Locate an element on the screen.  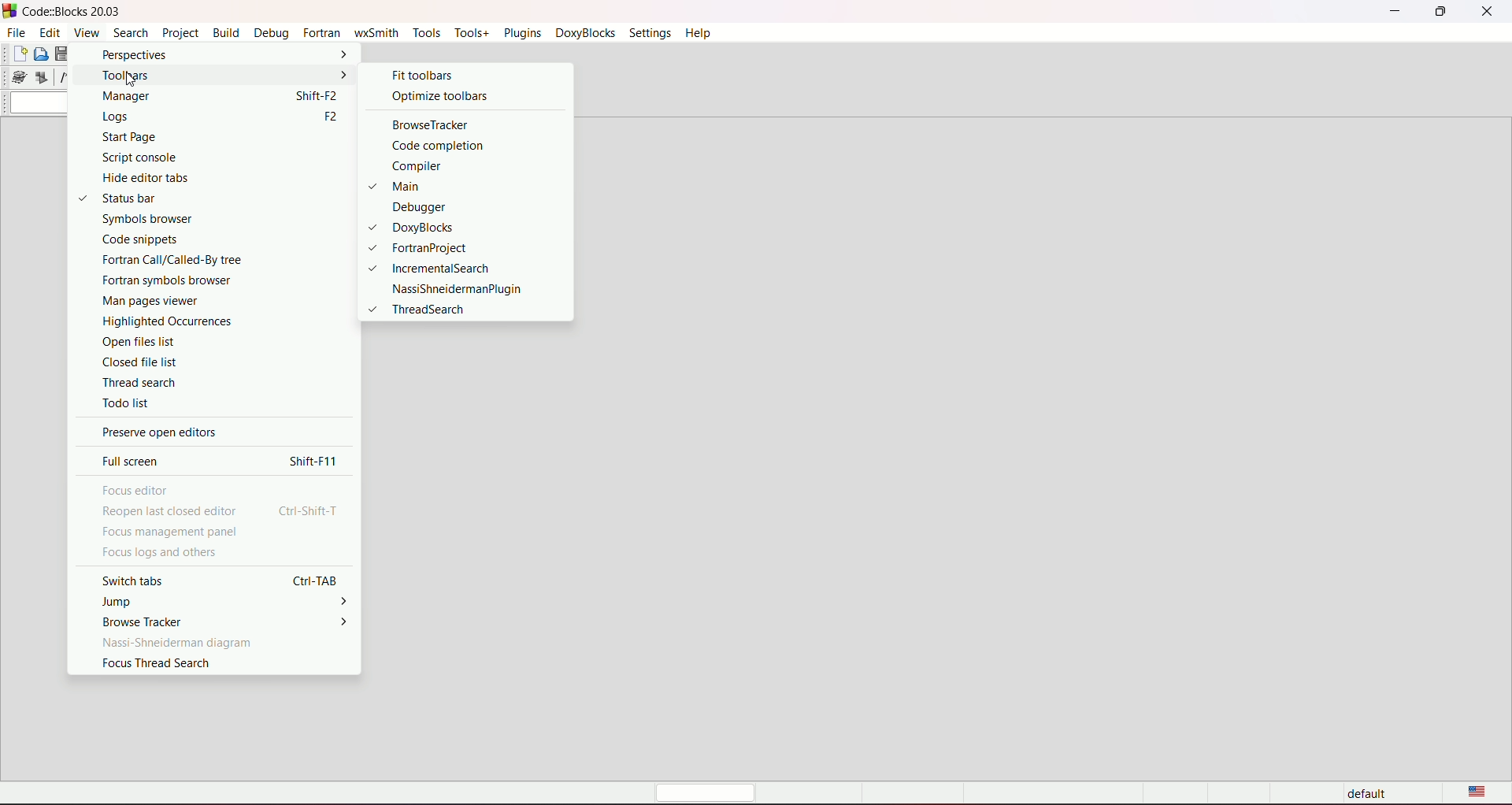
todo list is located at coordinates (209, 402).